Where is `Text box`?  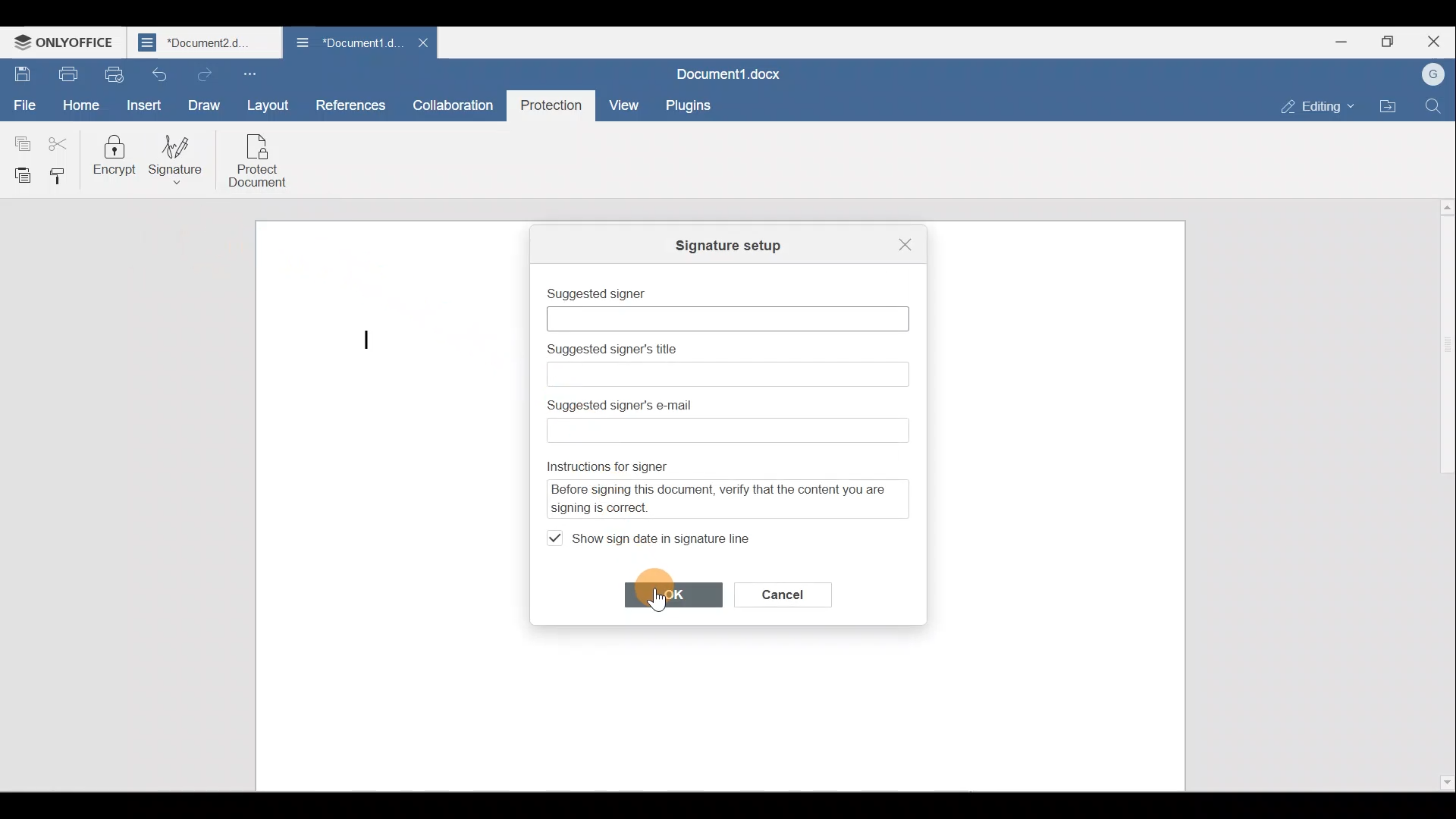
Text box is located at coordinates (728, 432).